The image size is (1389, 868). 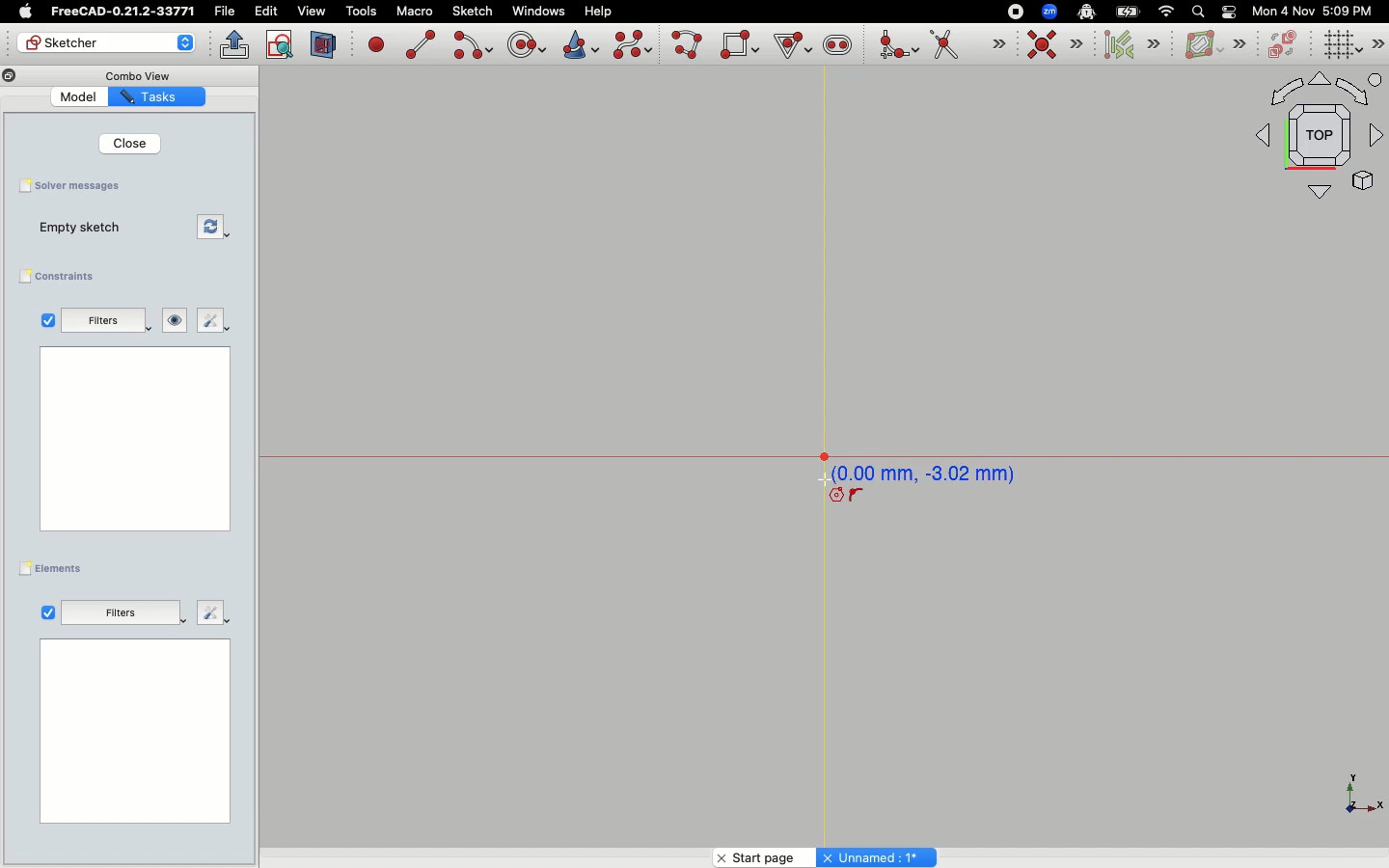 What do you see at coordinates (897, 46) in the screenshot?
I see `Create fillet` at bounding box center [897, 46].